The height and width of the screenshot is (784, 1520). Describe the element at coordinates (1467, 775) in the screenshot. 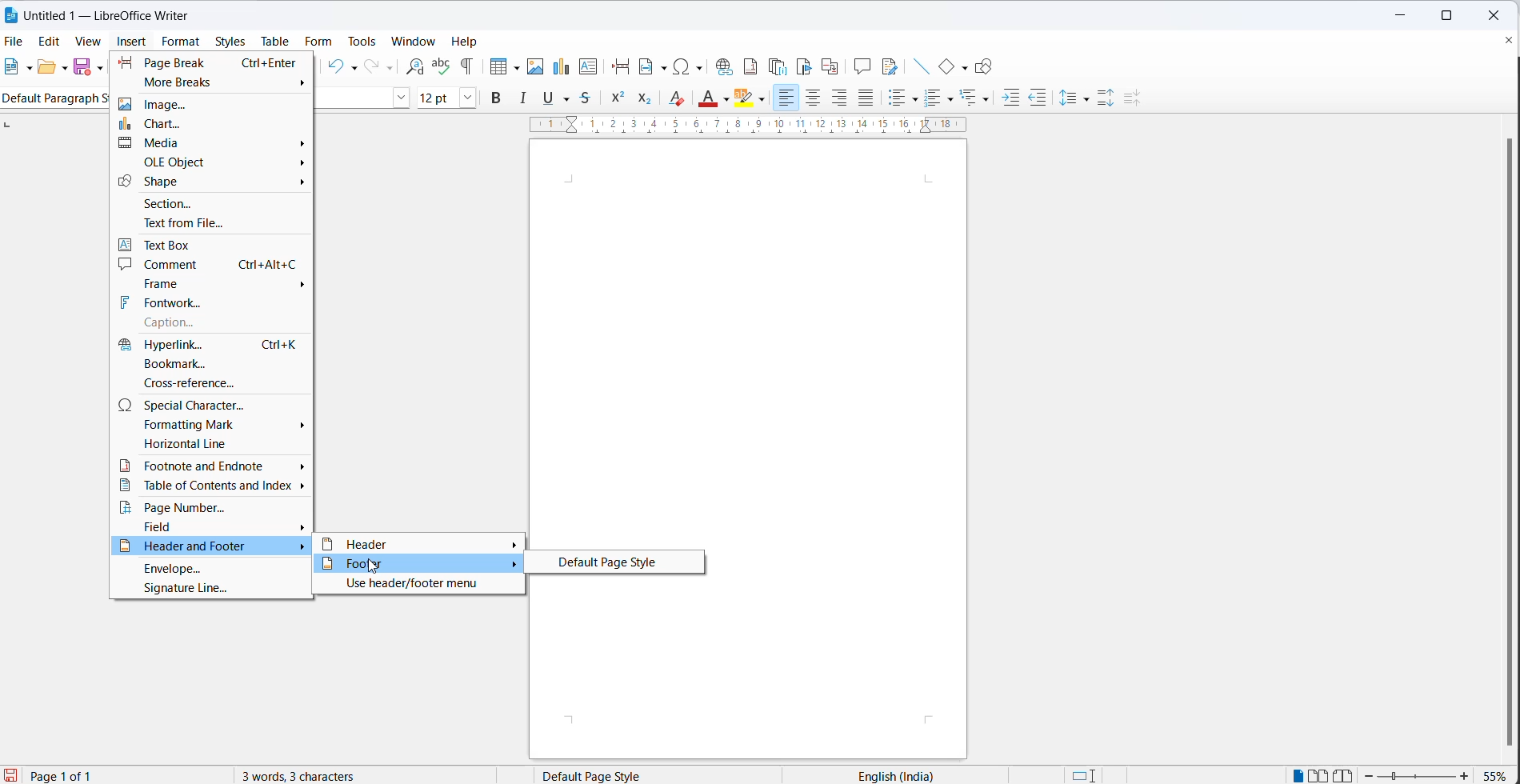

I see `zoom increase` at that location.